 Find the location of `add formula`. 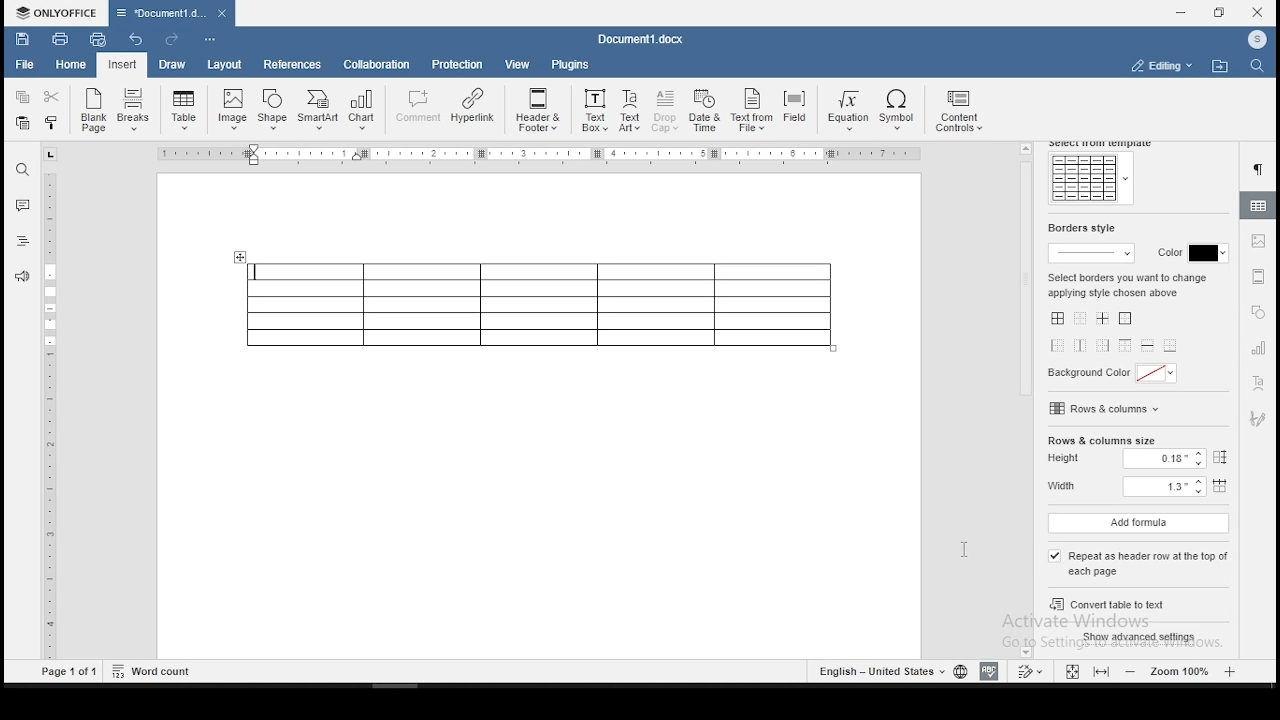

add formula is located at coordinates (1138, 524).